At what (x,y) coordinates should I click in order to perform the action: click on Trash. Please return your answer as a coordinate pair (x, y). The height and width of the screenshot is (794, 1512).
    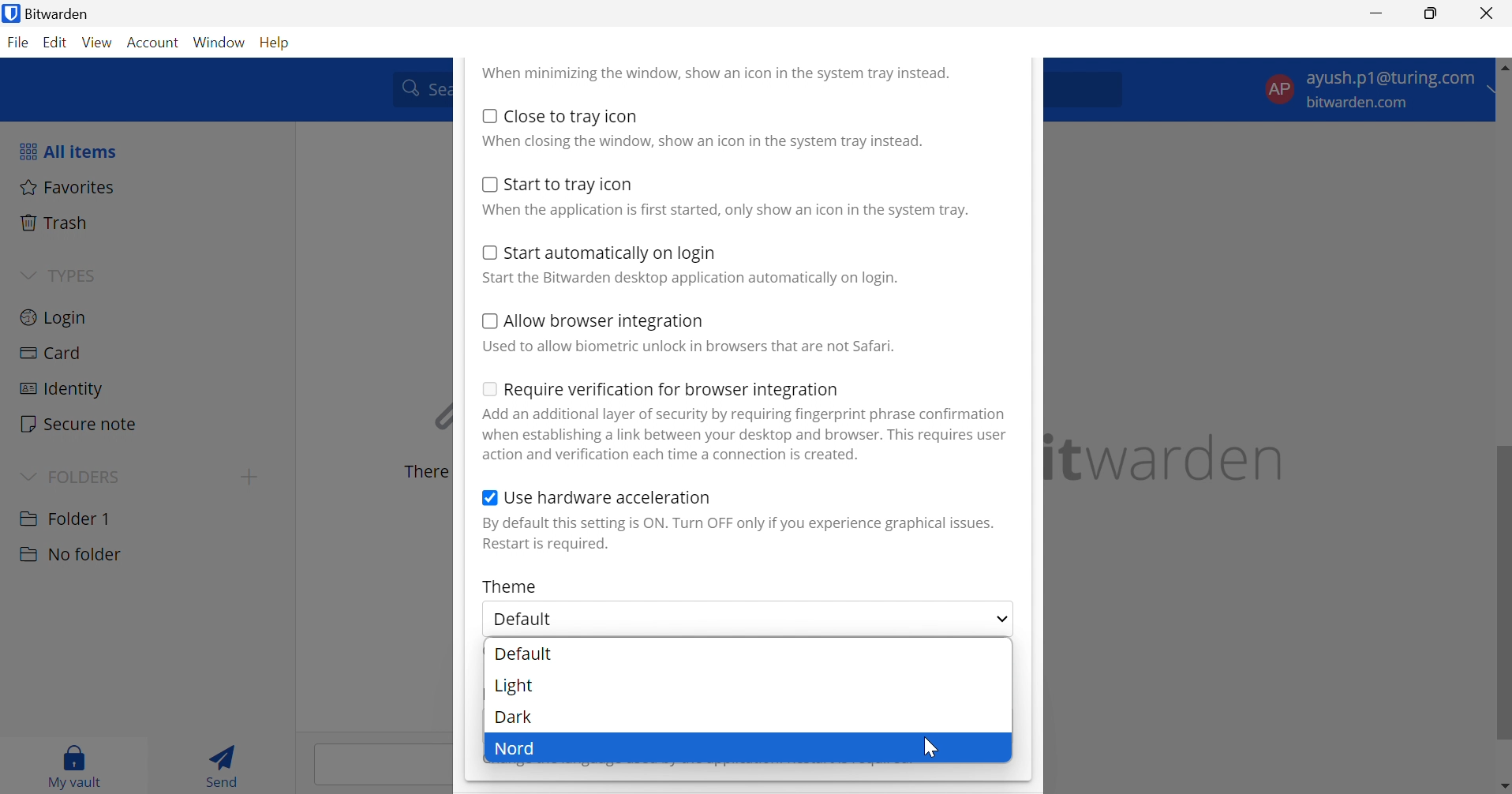
    Looking at the image, I should click on (56, 223).